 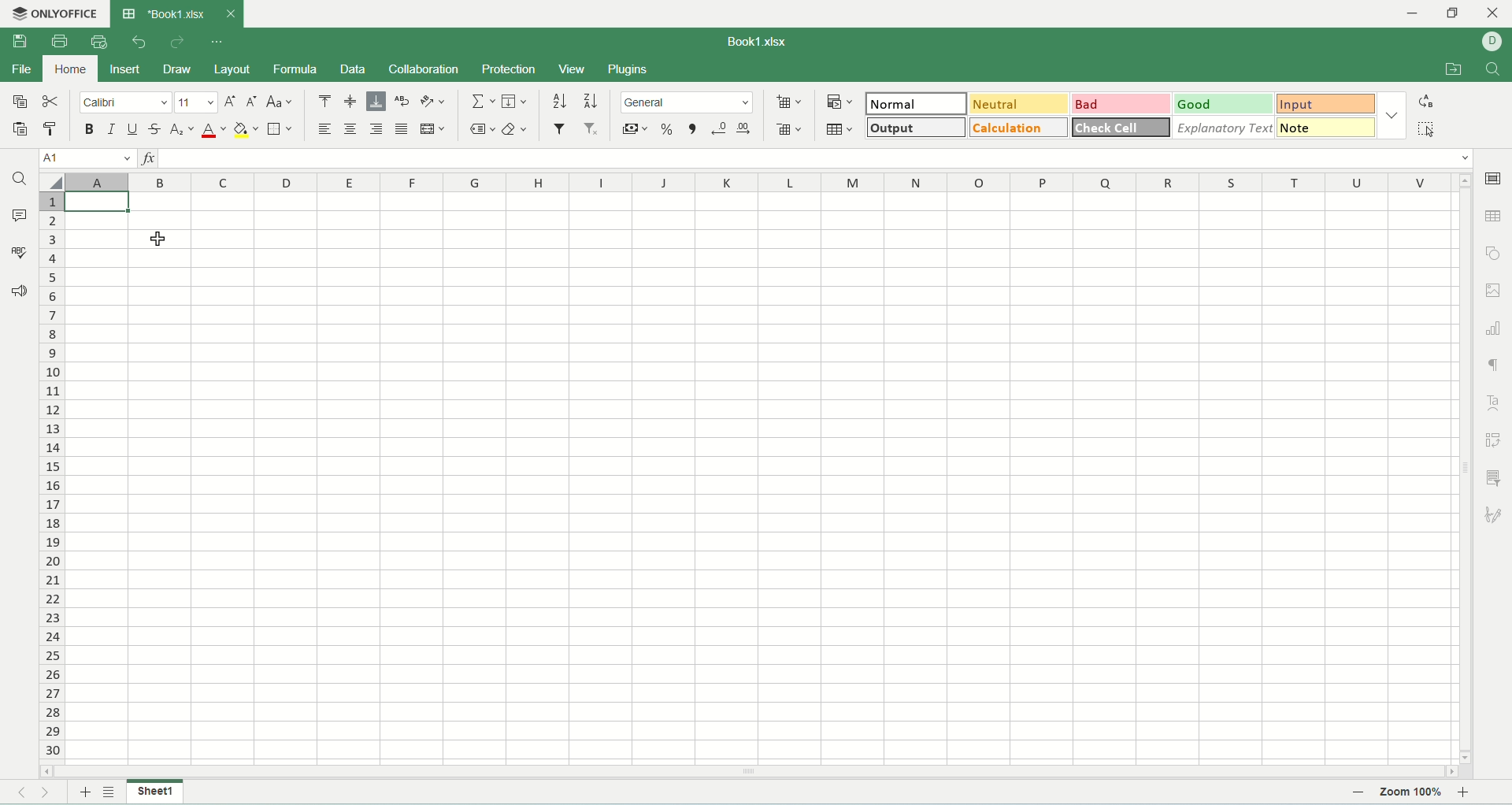 What do you see at coordinates (140, 43) in the screenshot?
I see `undo` at bounding box center [140, 43].